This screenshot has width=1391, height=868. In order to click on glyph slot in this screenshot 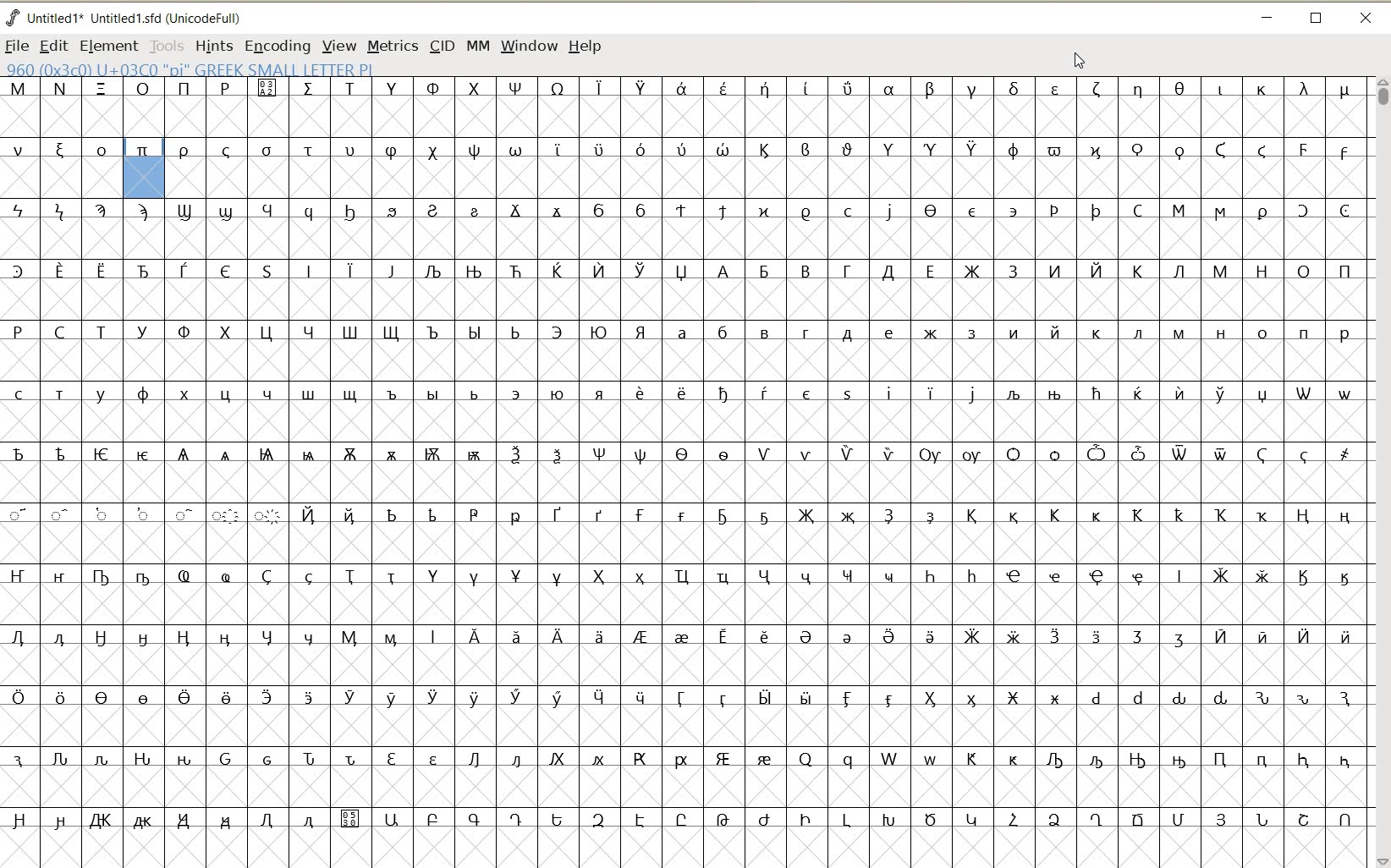, I will do `click(145, 167)`.